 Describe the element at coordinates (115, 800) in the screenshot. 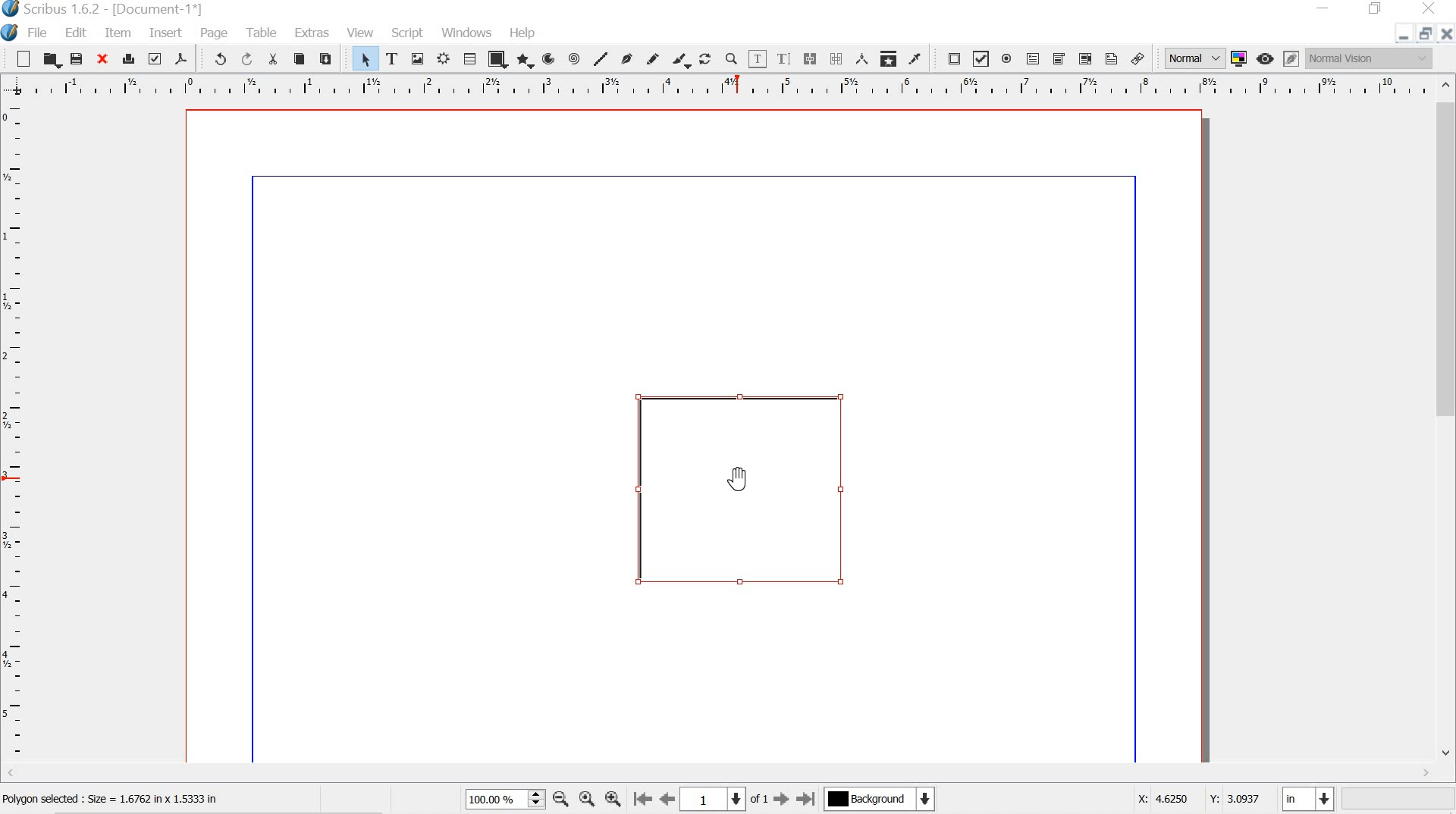

I see `Polygon selected : Size = 1.6762 in x 1.5333 in` at that location.